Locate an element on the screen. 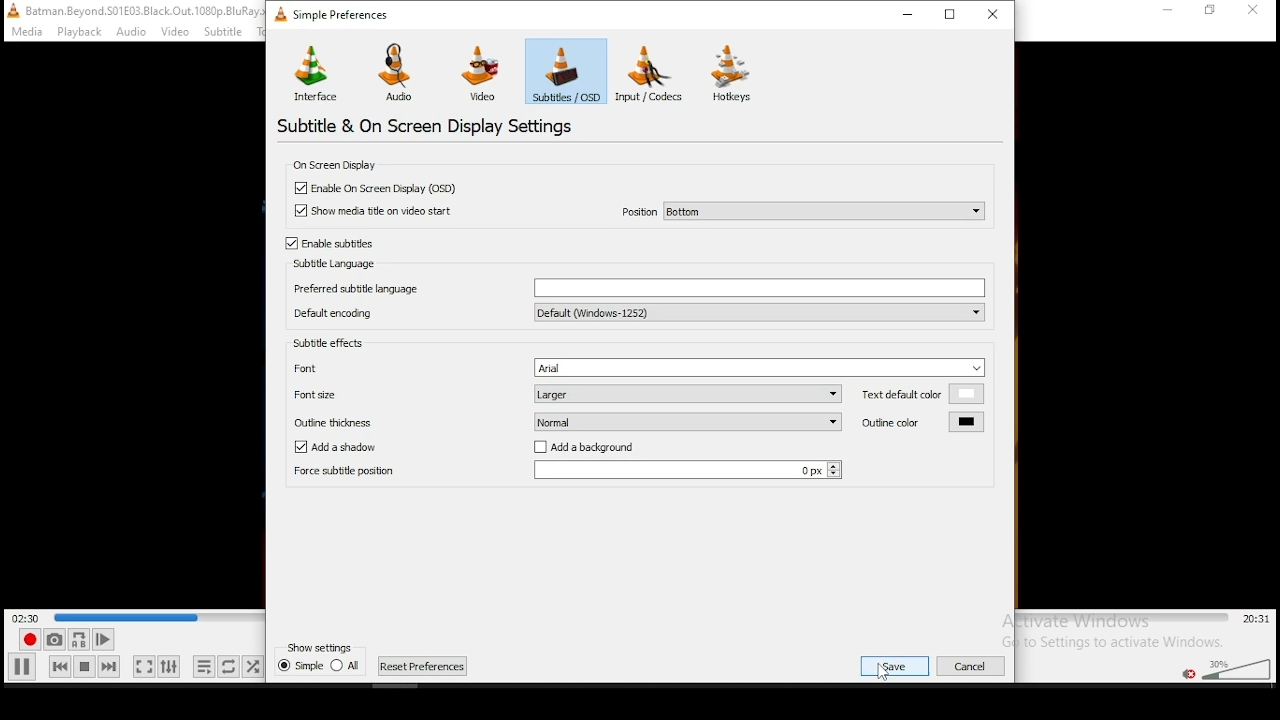  toggle video in fullscreen is located at coordinates (143, 666).